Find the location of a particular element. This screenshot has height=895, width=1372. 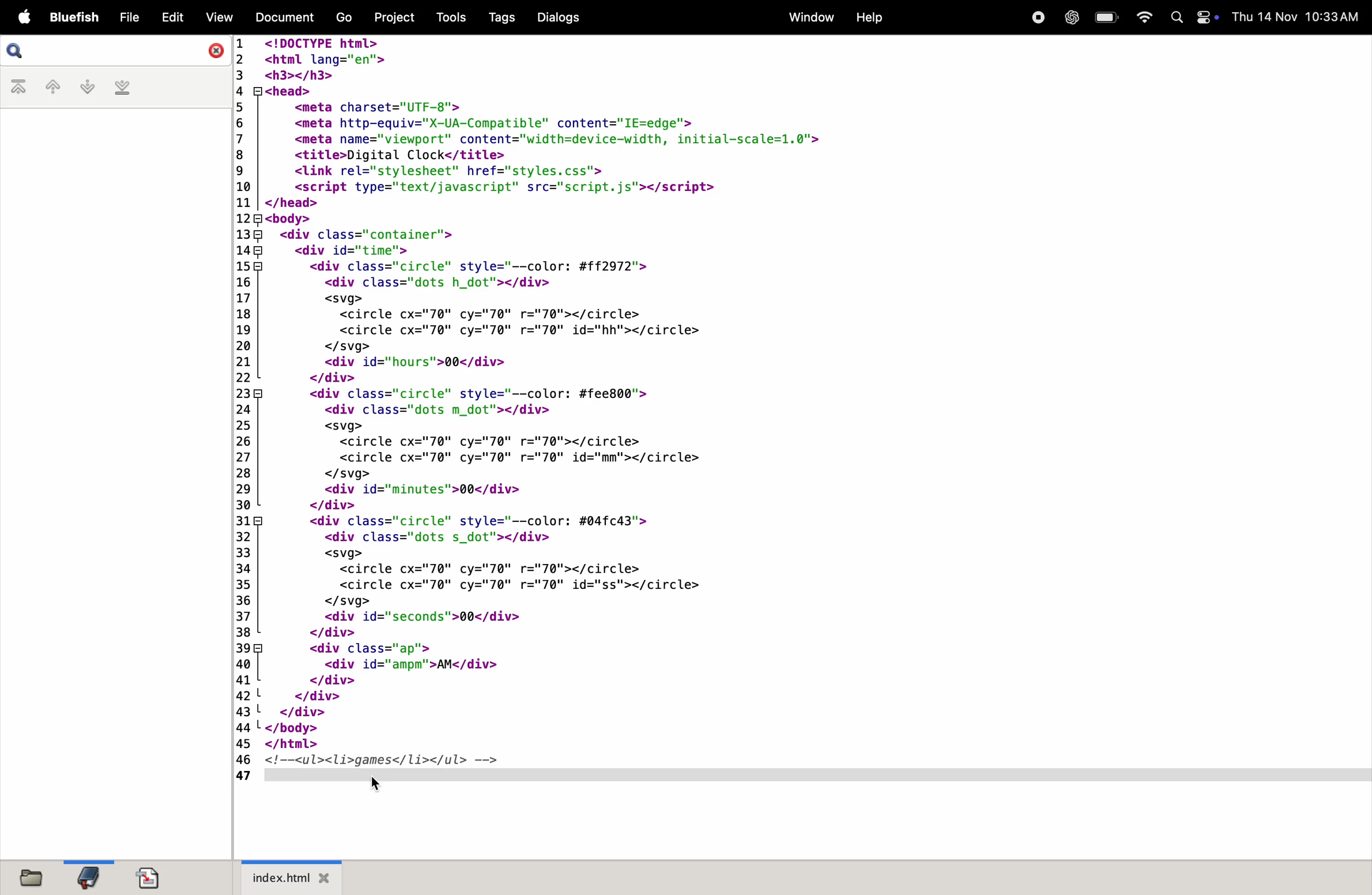

tools is located at coordinates (446, 16).